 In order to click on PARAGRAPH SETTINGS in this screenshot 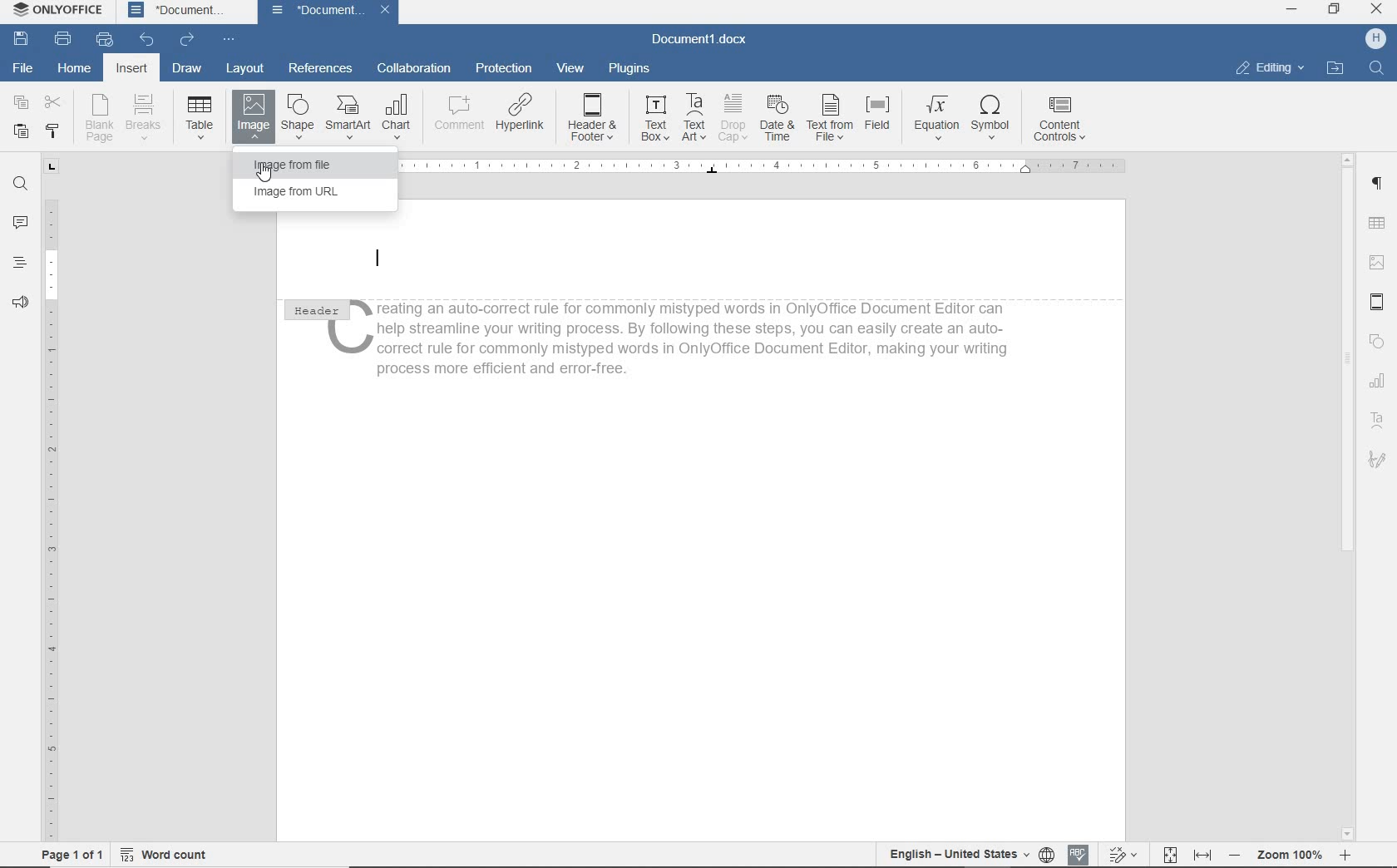, I will do `click(1376, 184)`.